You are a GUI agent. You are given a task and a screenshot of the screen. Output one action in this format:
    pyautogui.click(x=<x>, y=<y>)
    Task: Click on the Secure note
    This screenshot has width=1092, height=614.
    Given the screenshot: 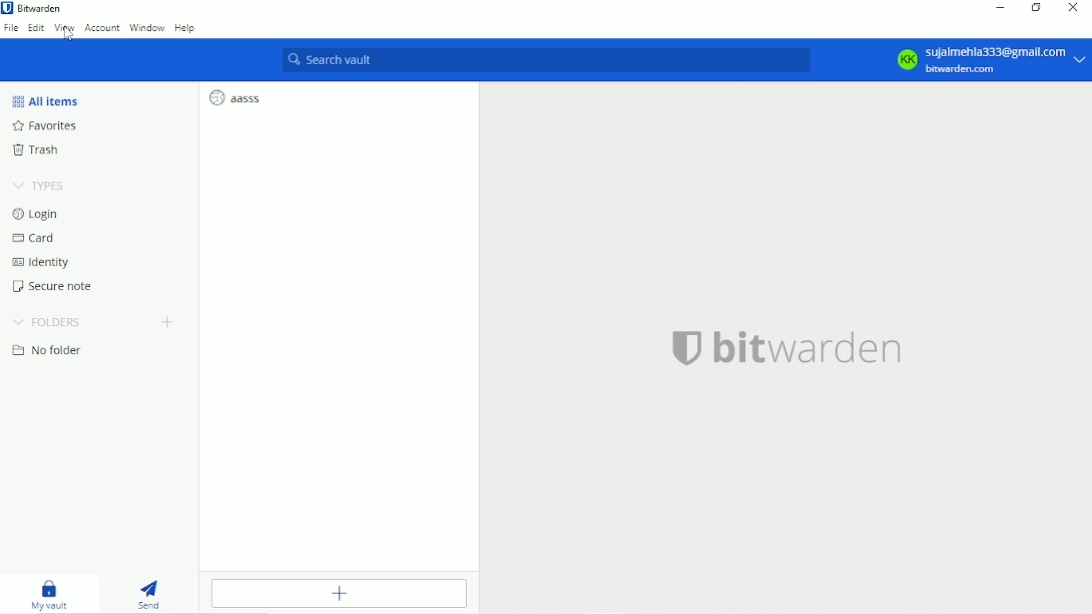 What is the action you would take?
    pyautogui.click(x=54, y=288)
    